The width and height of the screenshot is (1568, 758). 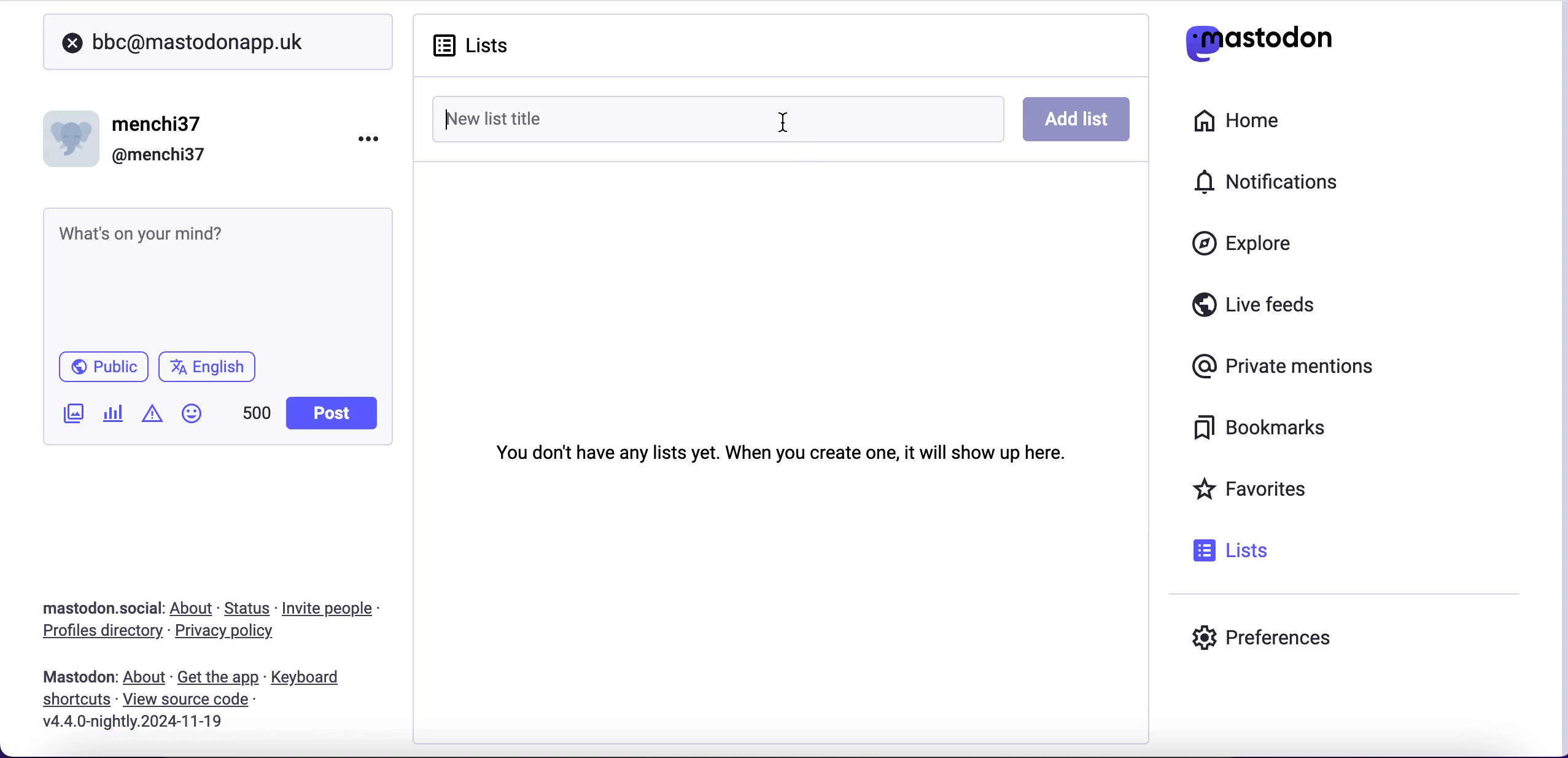 I want to click on about, so click(x=194, y=608).